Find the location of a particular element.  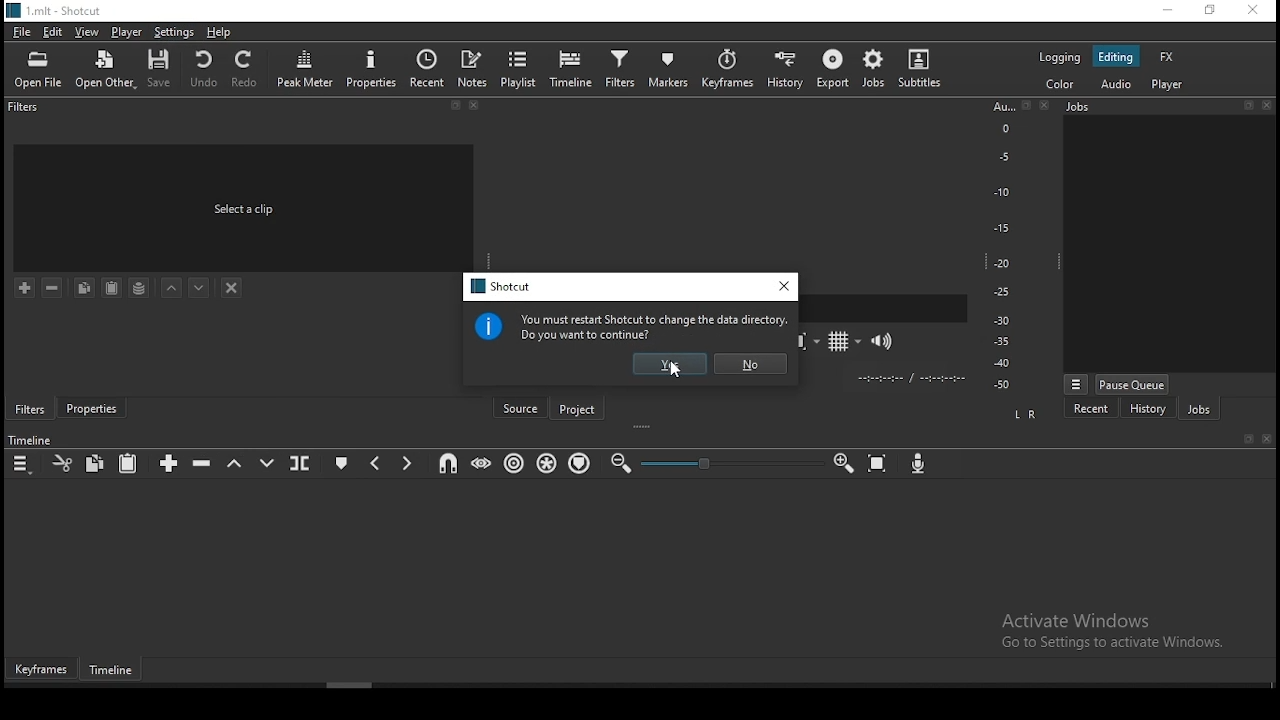

save is located at coordinates (163, 68).